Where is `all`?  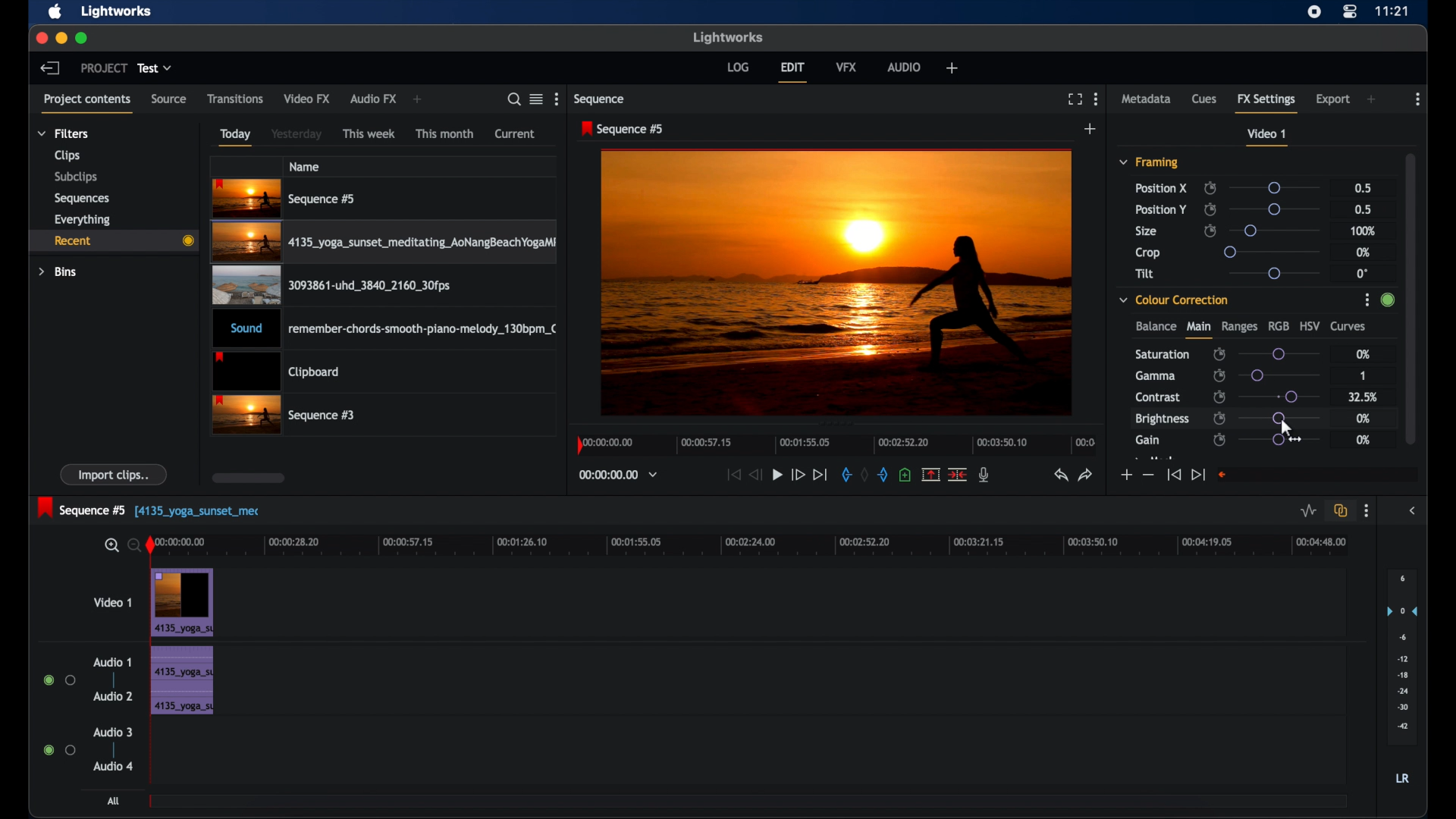 all is located at coordinates (115, 801).